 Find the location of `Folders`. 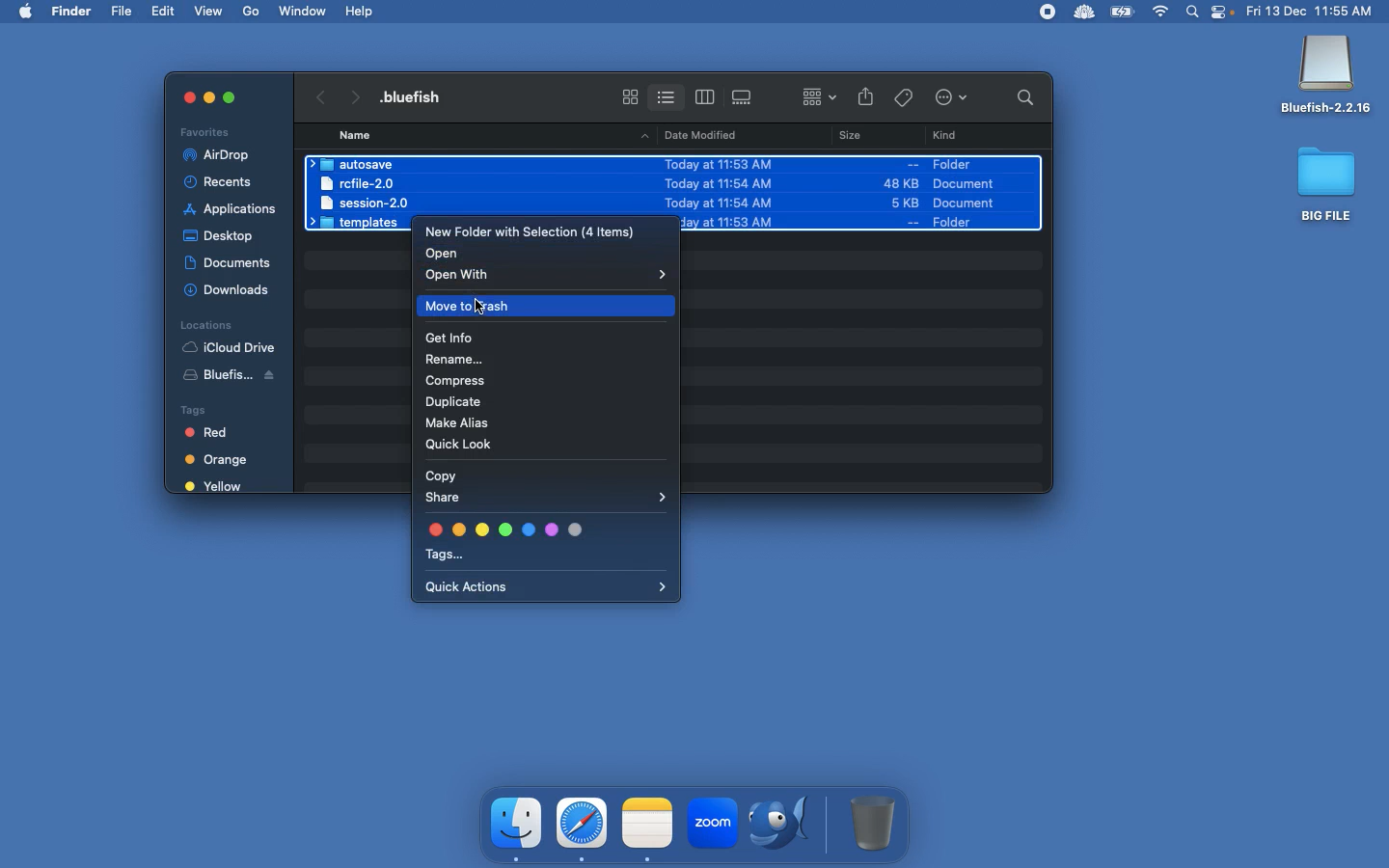

Folders is located at coordinates (359, 224).